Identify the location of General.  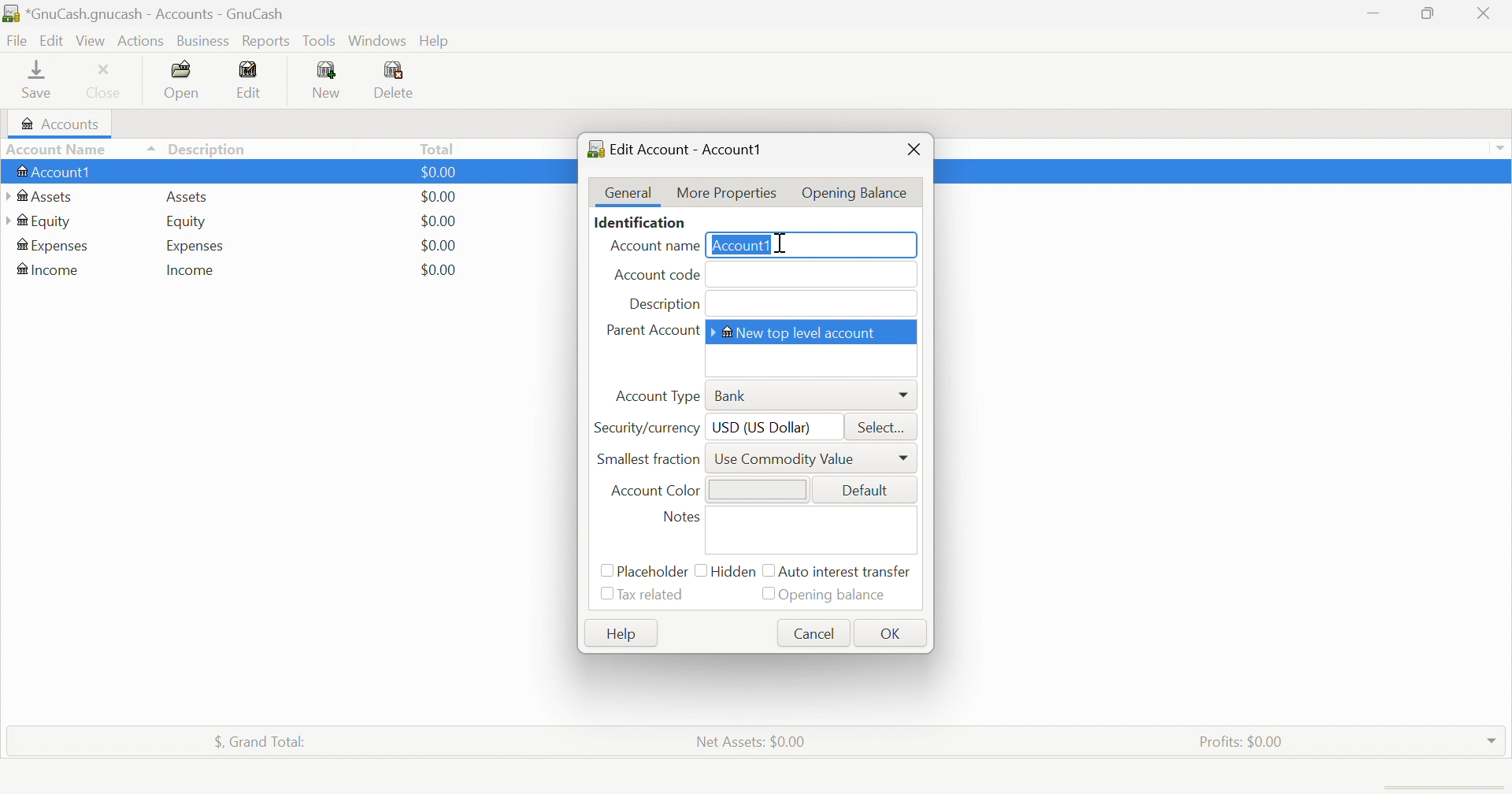
(629, 192).